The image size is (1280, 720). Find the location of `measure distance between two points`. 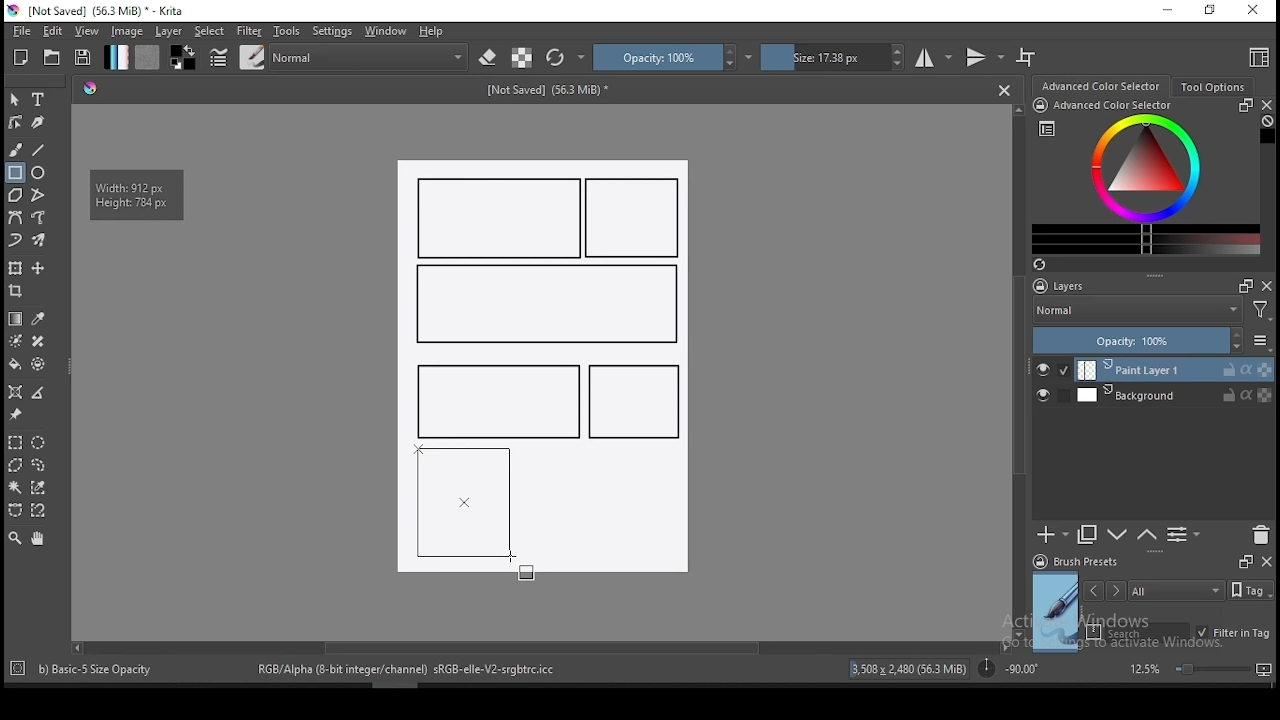

measure distance between two points is located at coordinates (39, 394).